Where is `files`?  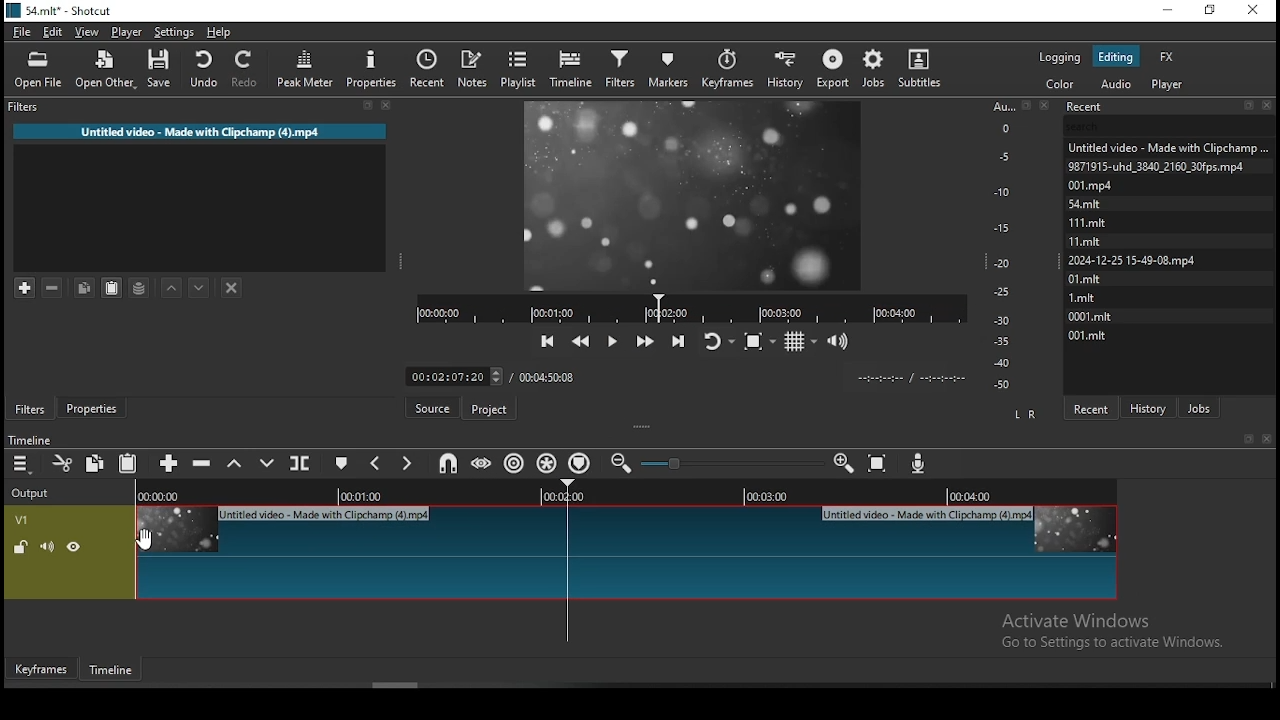
files is located at coordinates (1089, 317).